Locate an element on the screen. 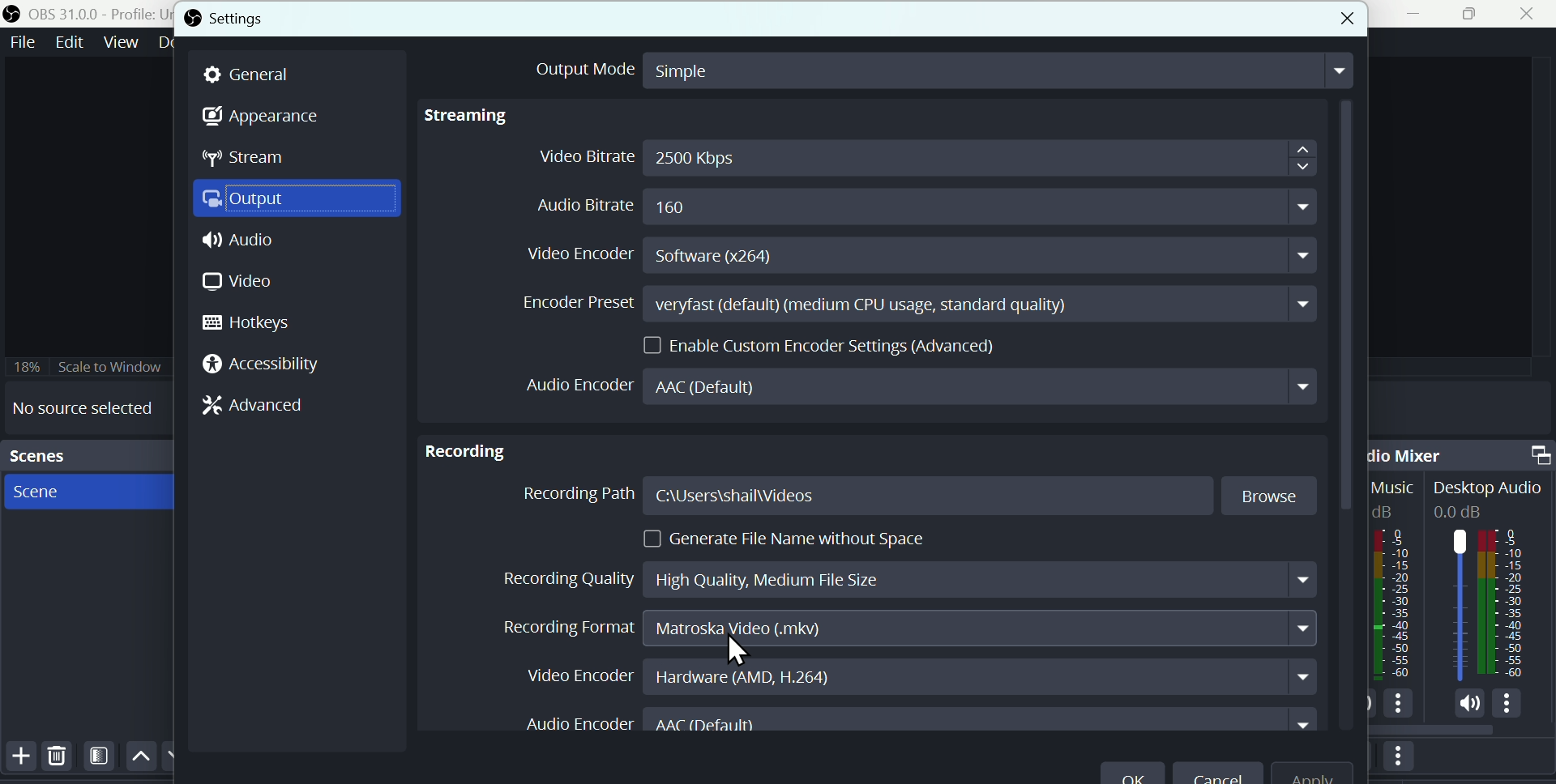 The width and height of the screenshot is (1556, 784). Scene is located at coordinates (35, 492).